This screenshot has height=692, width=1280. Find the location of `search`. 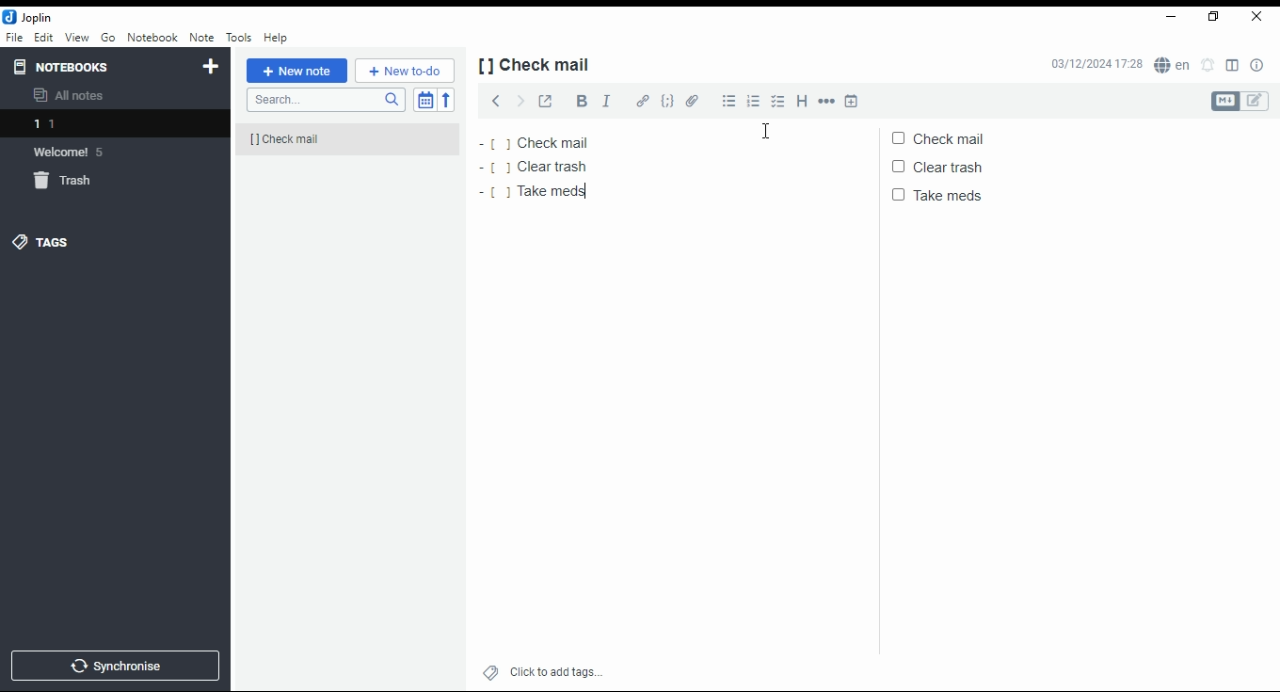

search is located at coordinates (324, 99).